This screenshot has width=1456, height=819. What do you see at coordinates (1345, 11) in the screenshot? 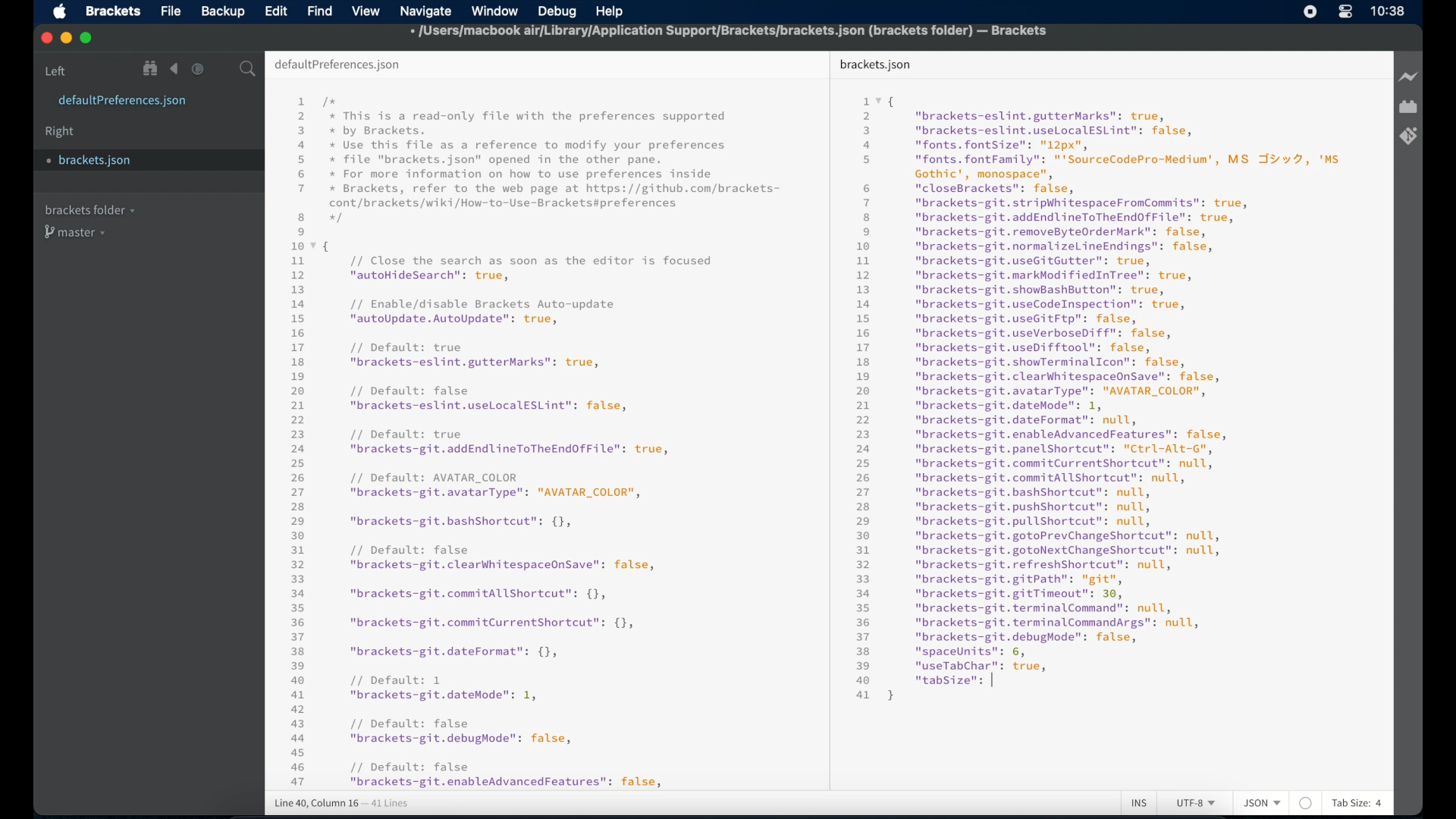
I see `control center` at bounding box center [1345, 11].